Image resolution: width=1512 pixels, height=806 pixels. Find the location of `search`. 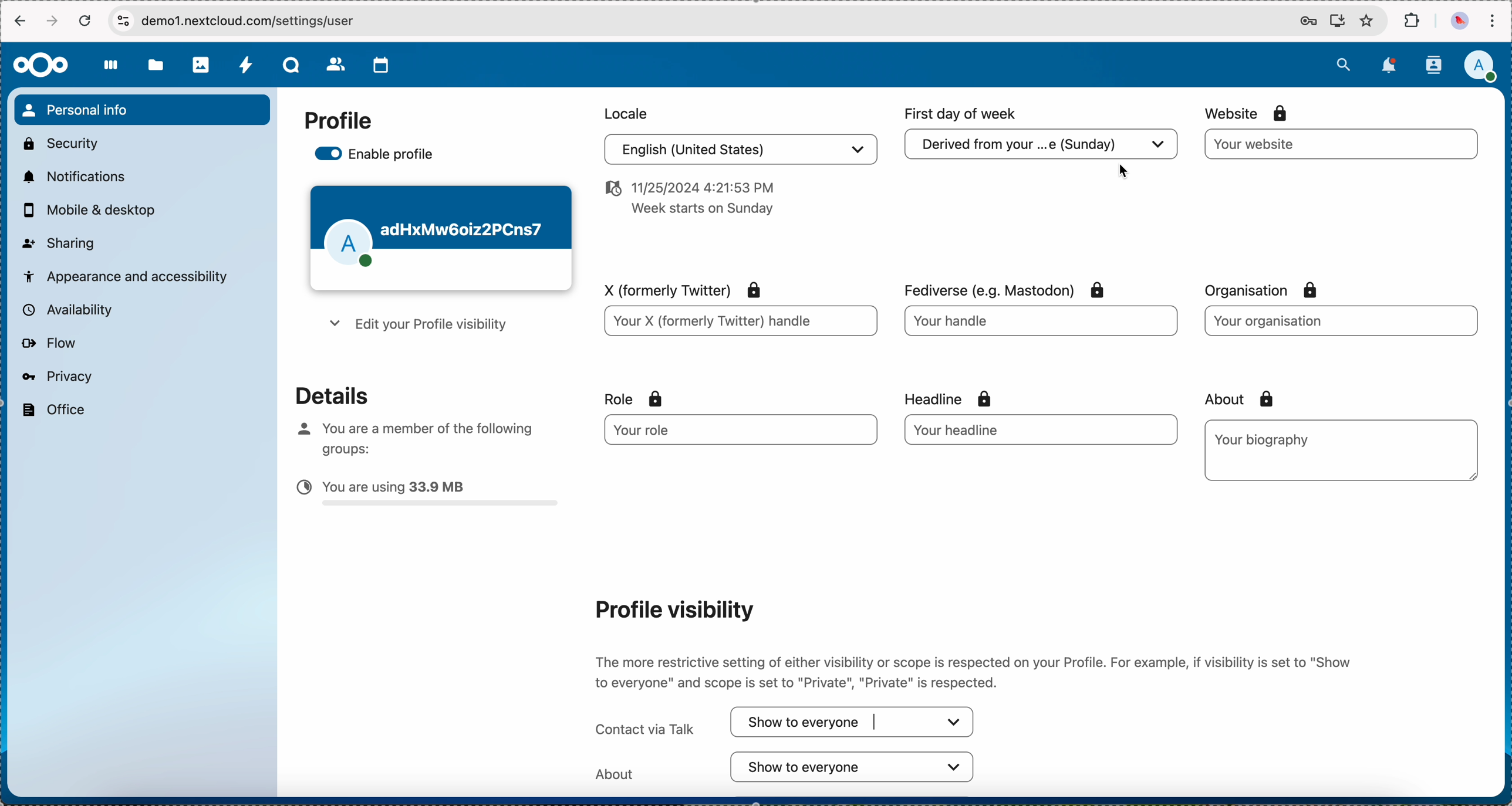

search is located at coordinates (1343, 63).